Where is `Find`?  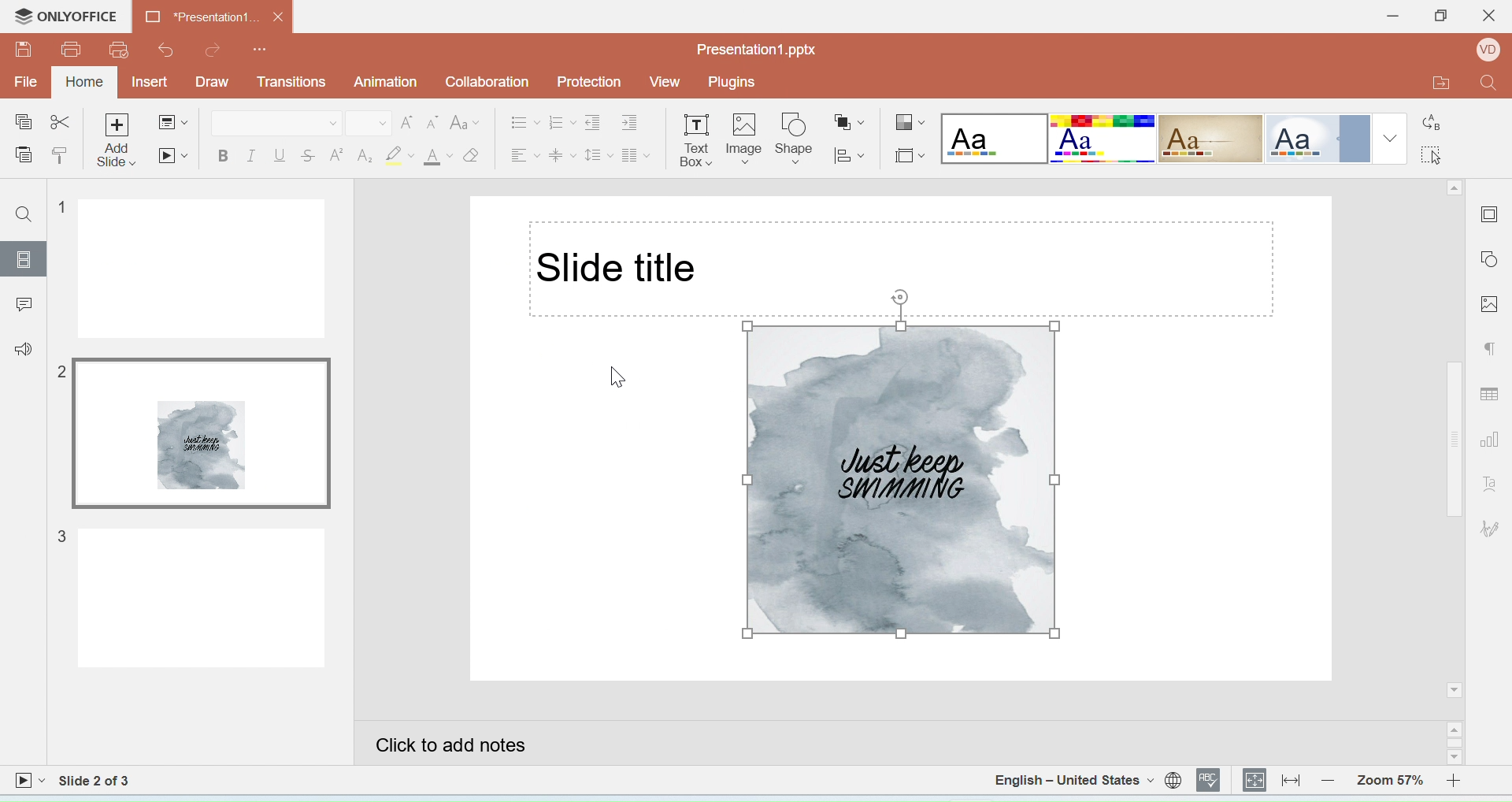 Find is located at coordinates (1489, 87).